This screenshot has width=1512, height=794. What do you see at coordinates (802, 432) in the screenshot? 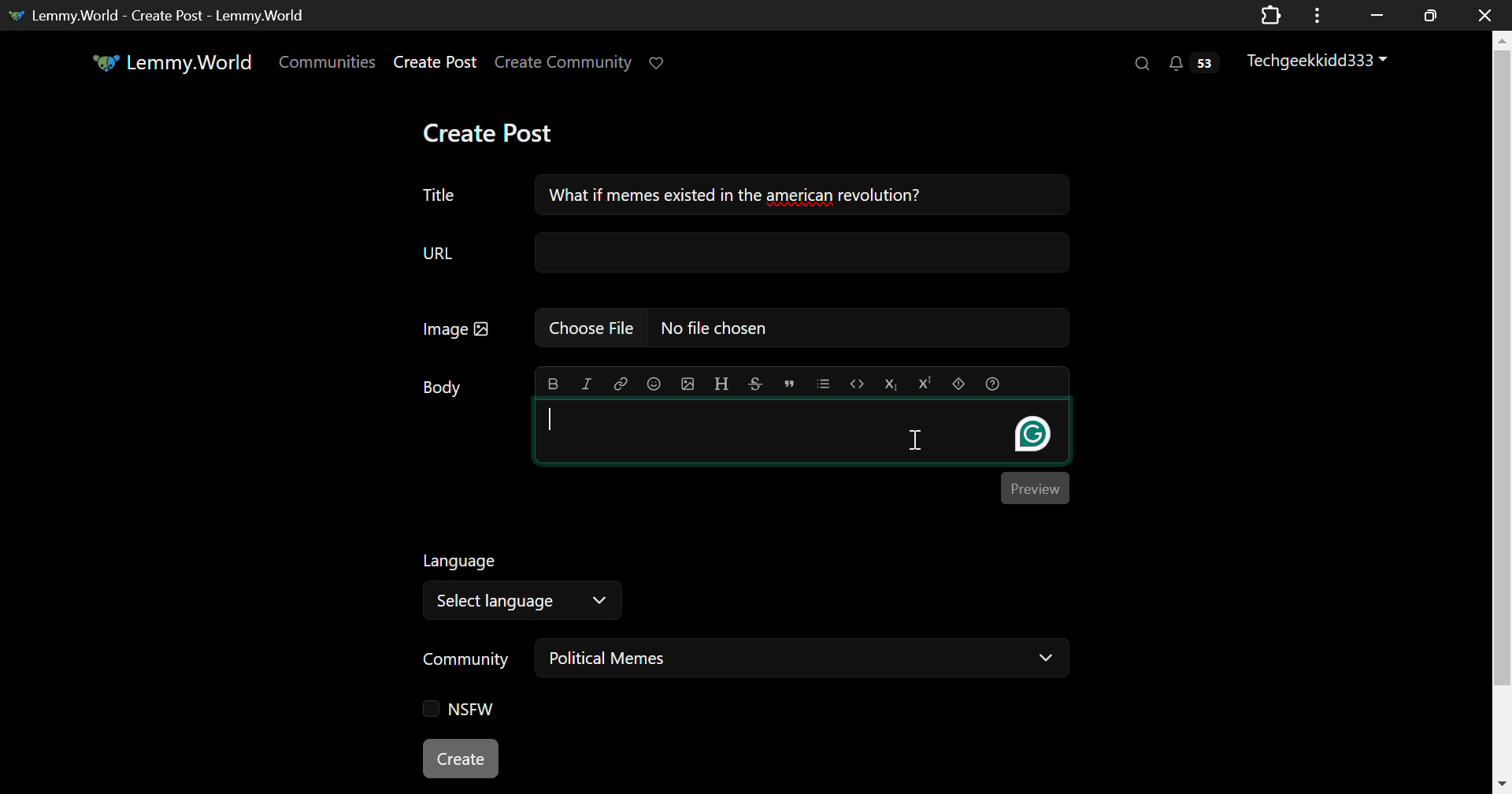
I see `Post Body Textbox Selected to Type In` at bounding box center [802, 432].